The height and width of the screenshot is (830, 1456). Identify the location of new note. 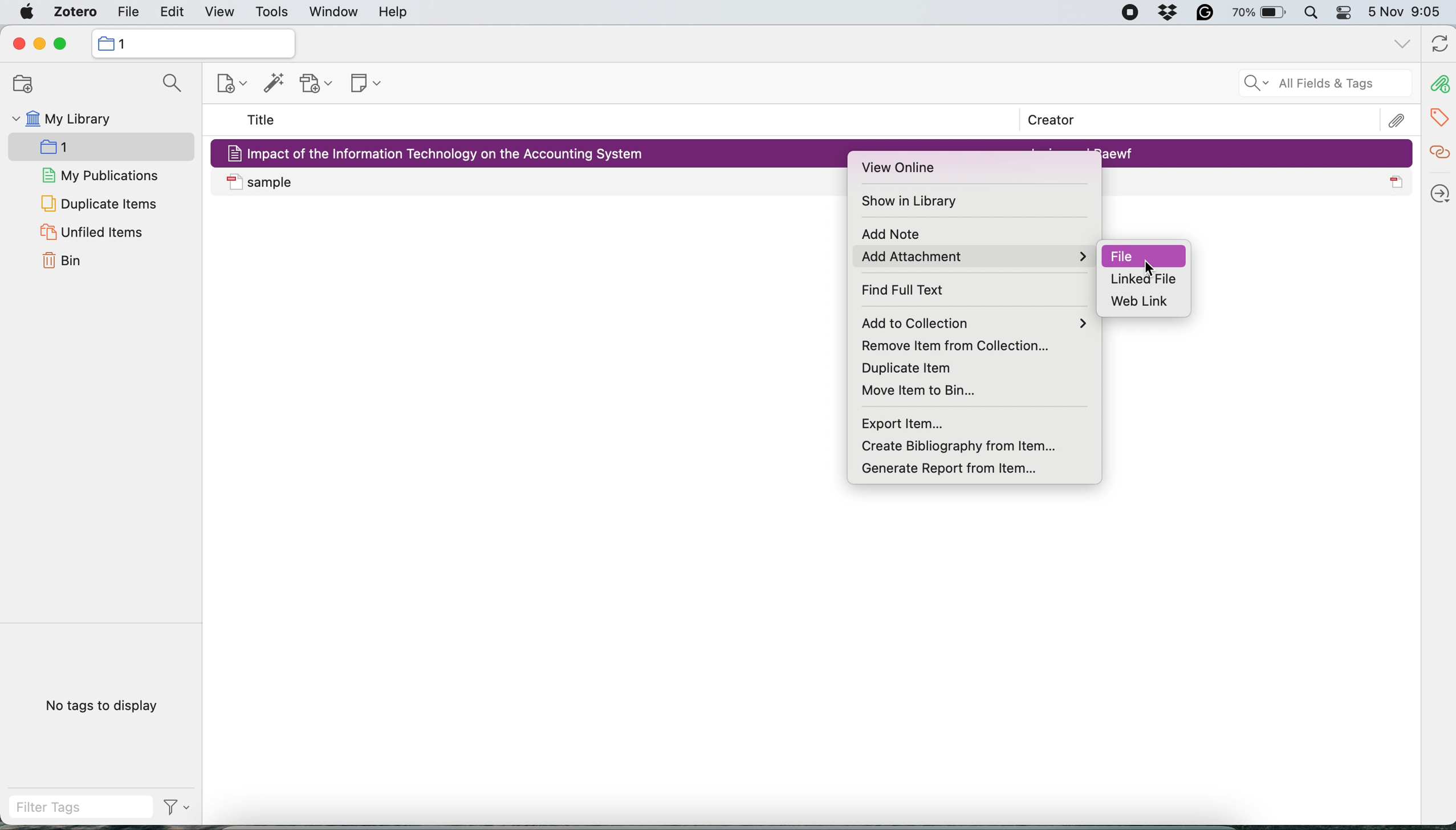
(361, 81).